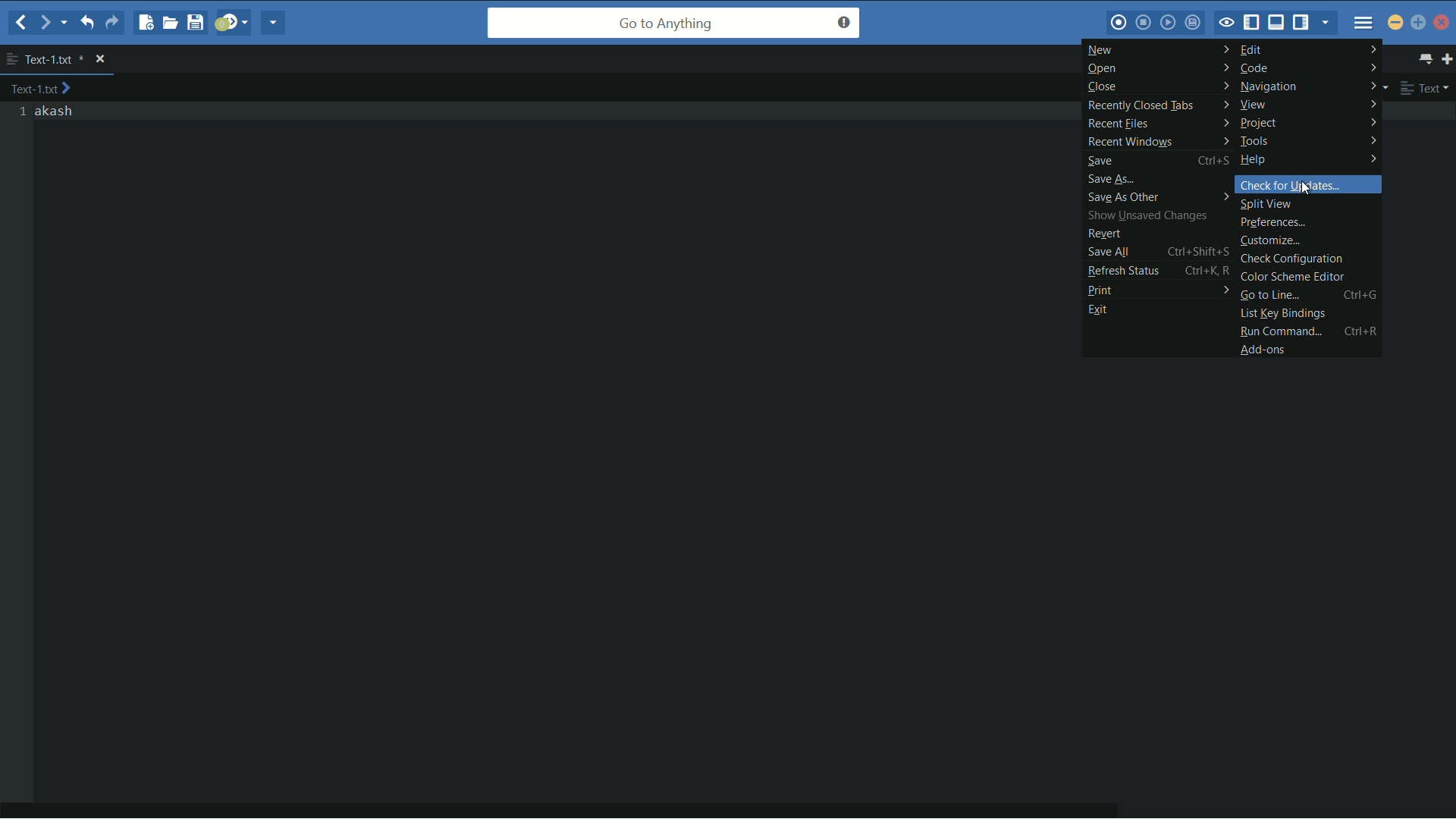 This screenshot has height=819, width=1456. I want to click on toggle focus mode, so click(1227, 22).